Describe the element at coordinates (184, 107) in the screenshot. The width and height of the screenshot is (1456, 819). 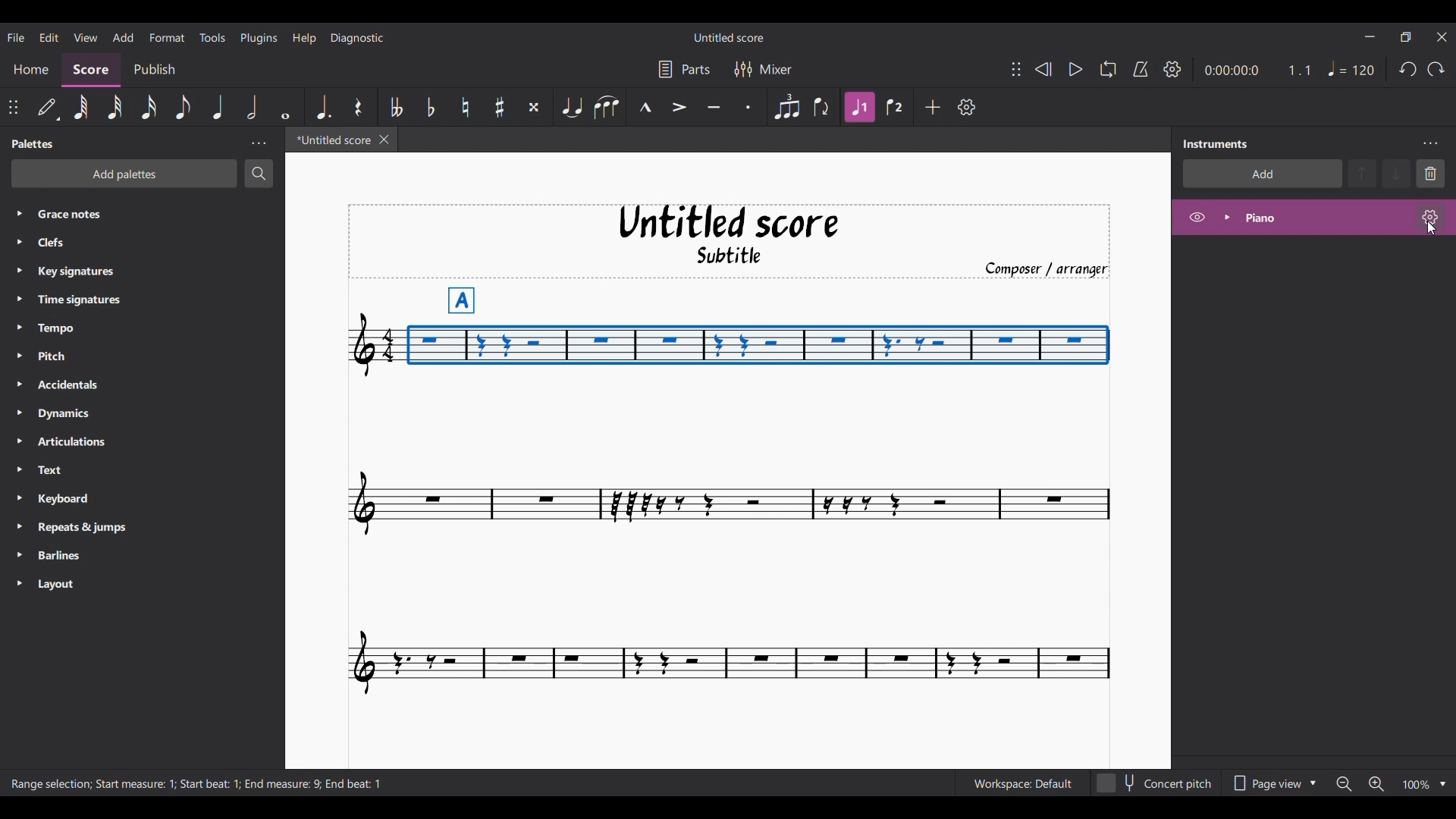
I see `8th note` at that location.